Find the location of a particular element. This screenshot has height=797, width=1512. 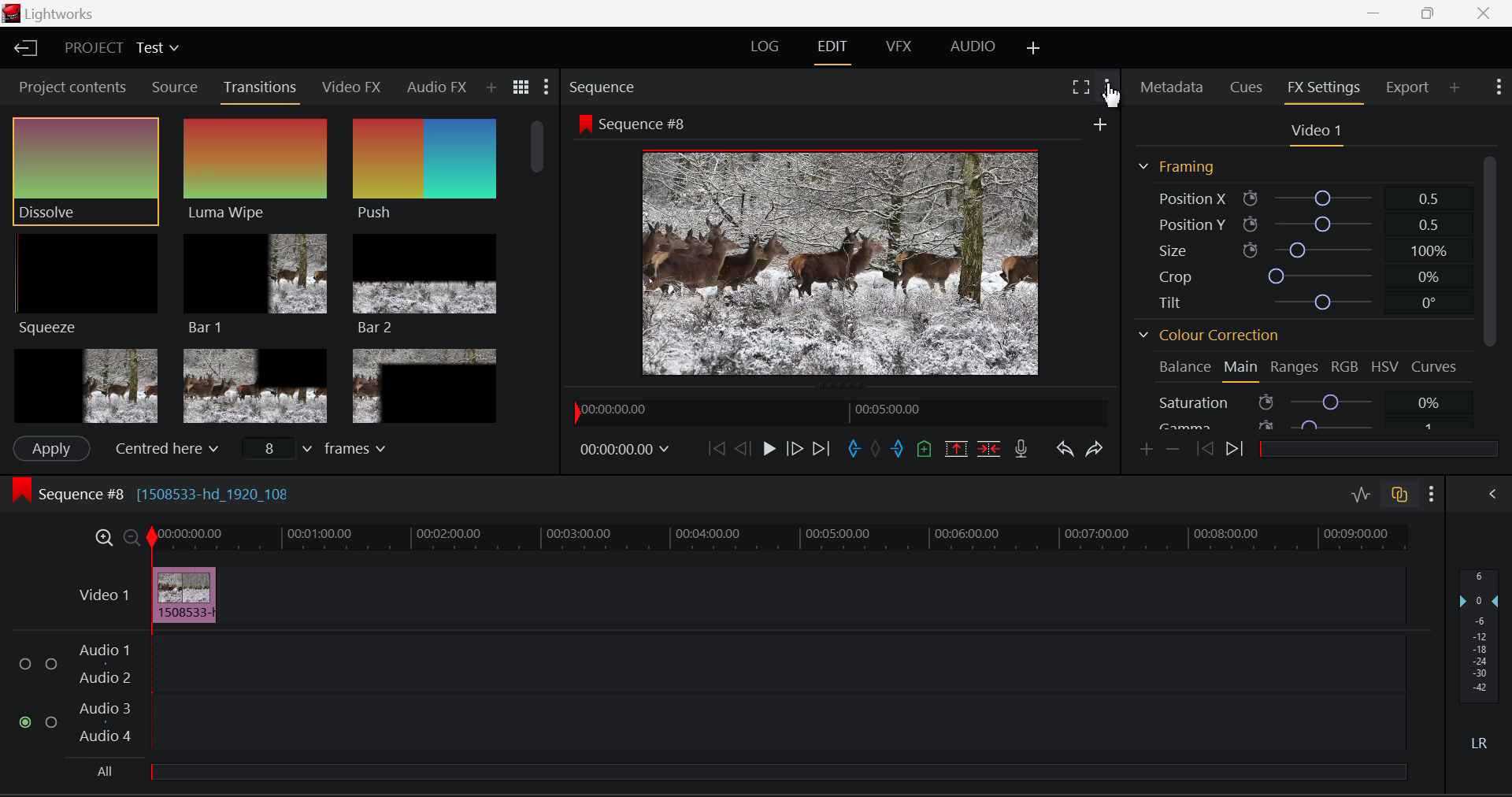

Source is located at coordinates (175, 89).